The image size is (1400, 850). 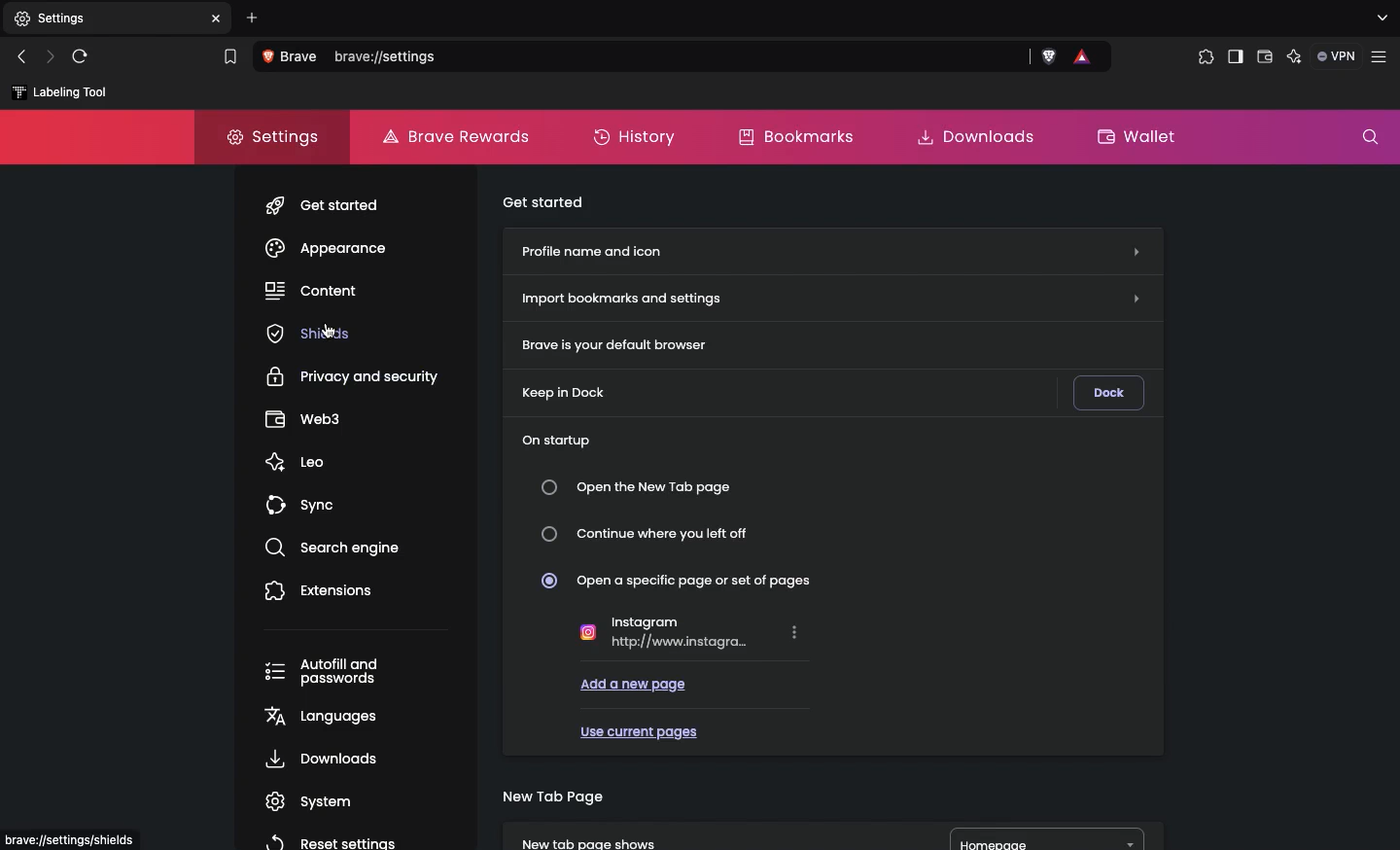 What do you see at coordinates (81, 833) in the screenshot?
I see `brave://settings/shields` at bounding box center [81, 833].